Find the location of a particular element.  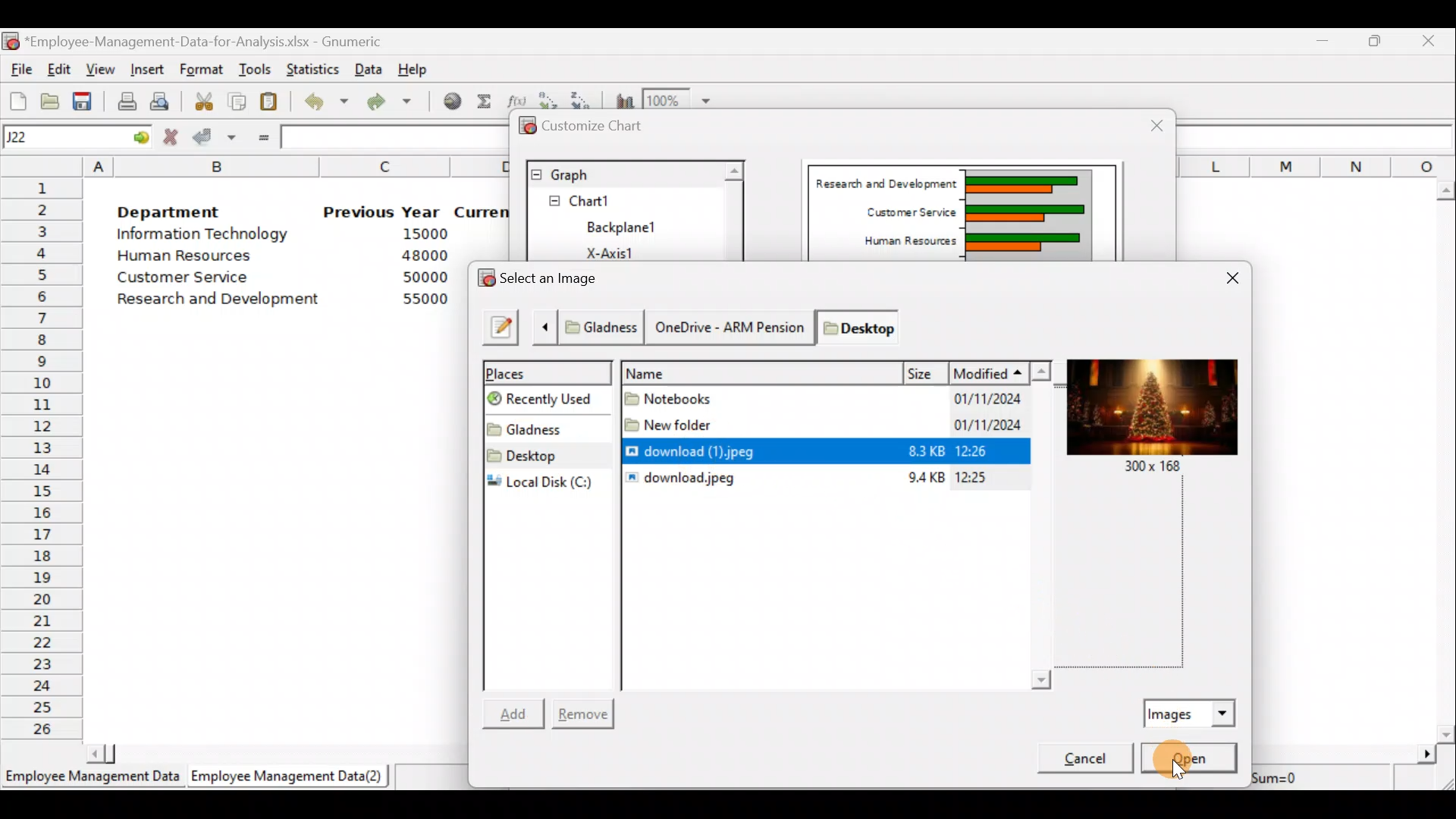

Desktop is located at coordinates (547, 454).